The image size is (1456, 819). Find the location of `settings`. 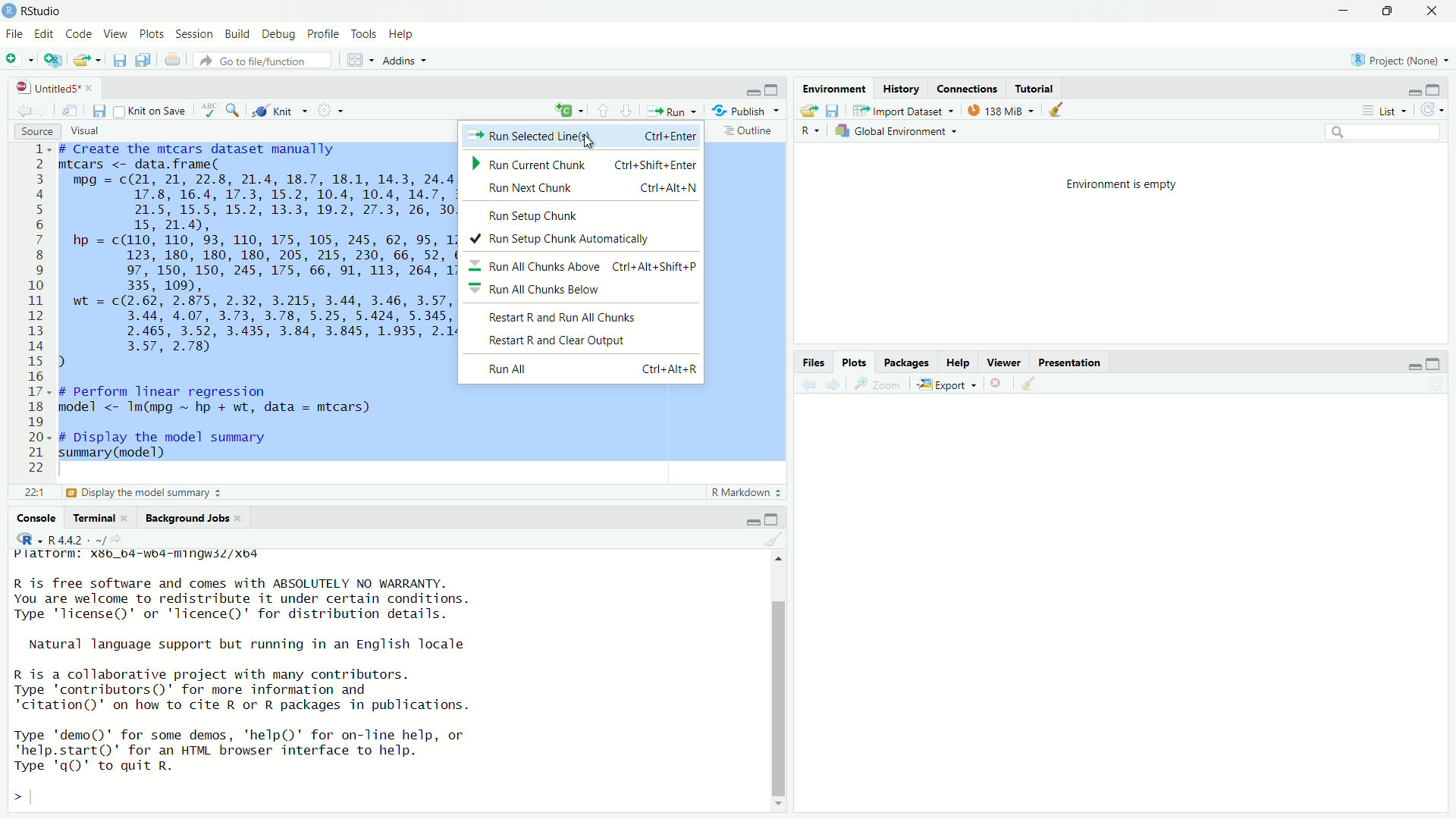

settings is located at coordinates (329, 109).